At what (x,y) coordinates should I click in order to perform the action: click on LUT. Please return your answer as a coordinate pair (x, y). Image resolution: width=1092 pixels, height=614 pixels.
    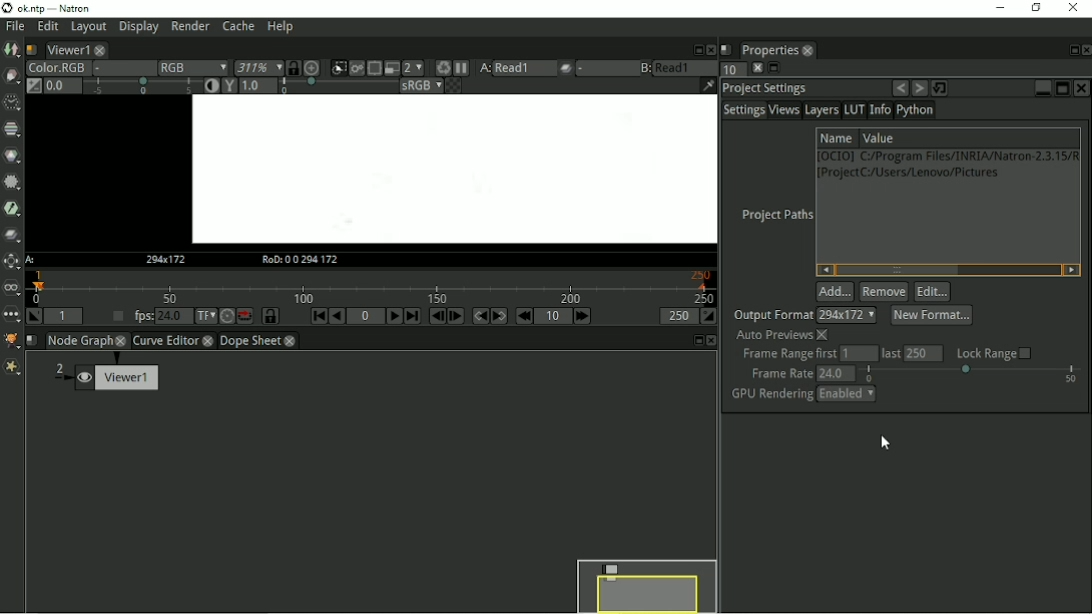
    Looking at the image, I should click on (853, 109).